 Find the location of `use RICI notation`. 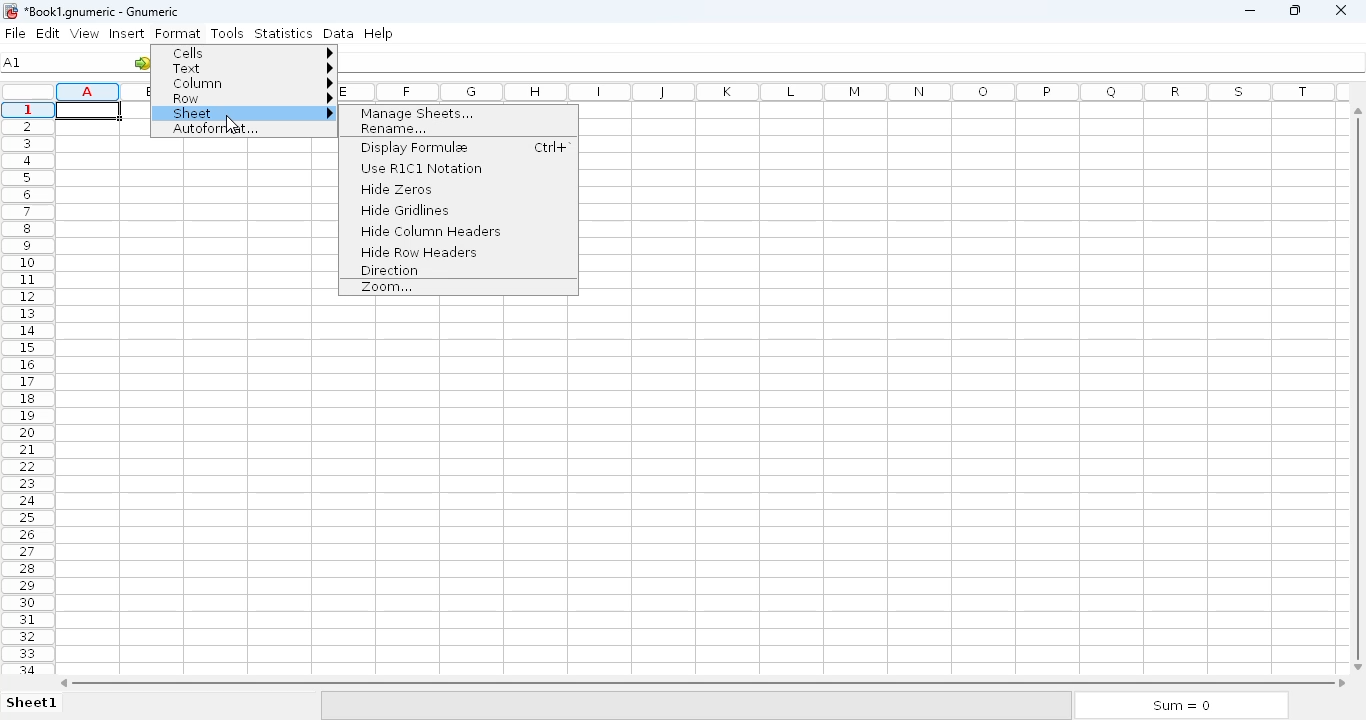

use RICI notation is located at coordinates (421, 168).